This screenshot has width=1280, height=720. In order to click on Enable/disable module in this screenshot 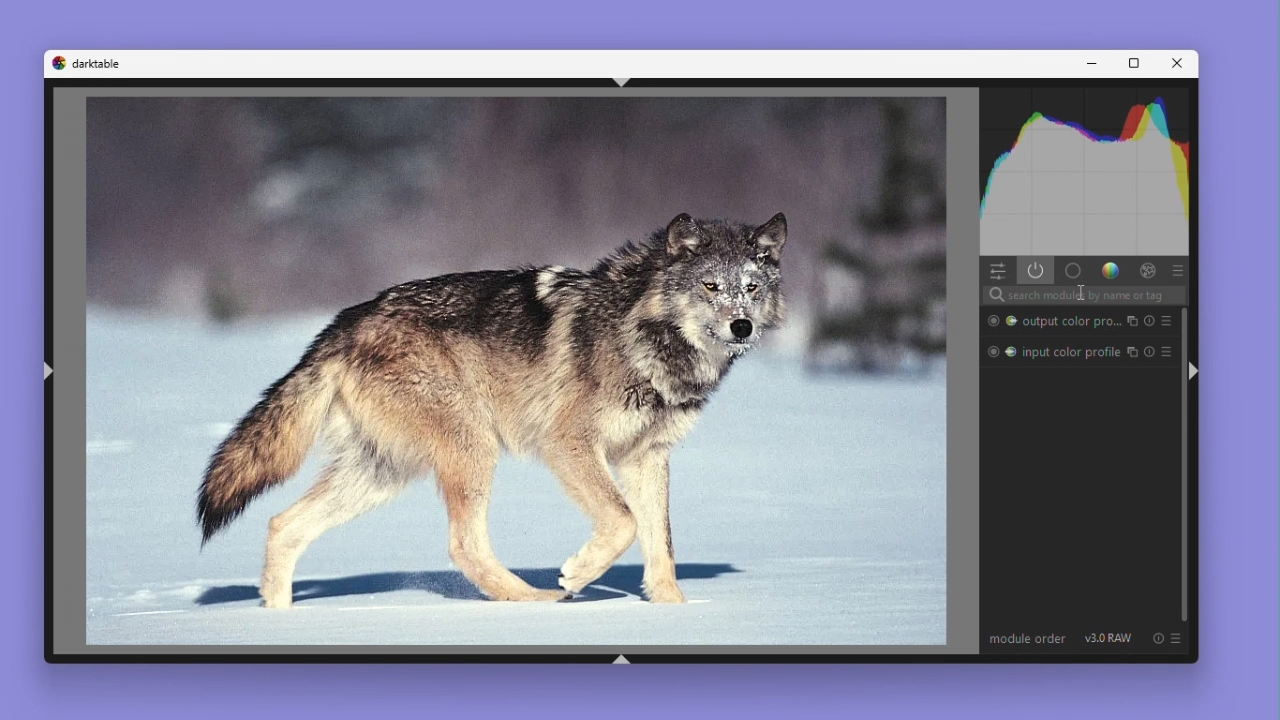, I will do `click(1133, 321)`.